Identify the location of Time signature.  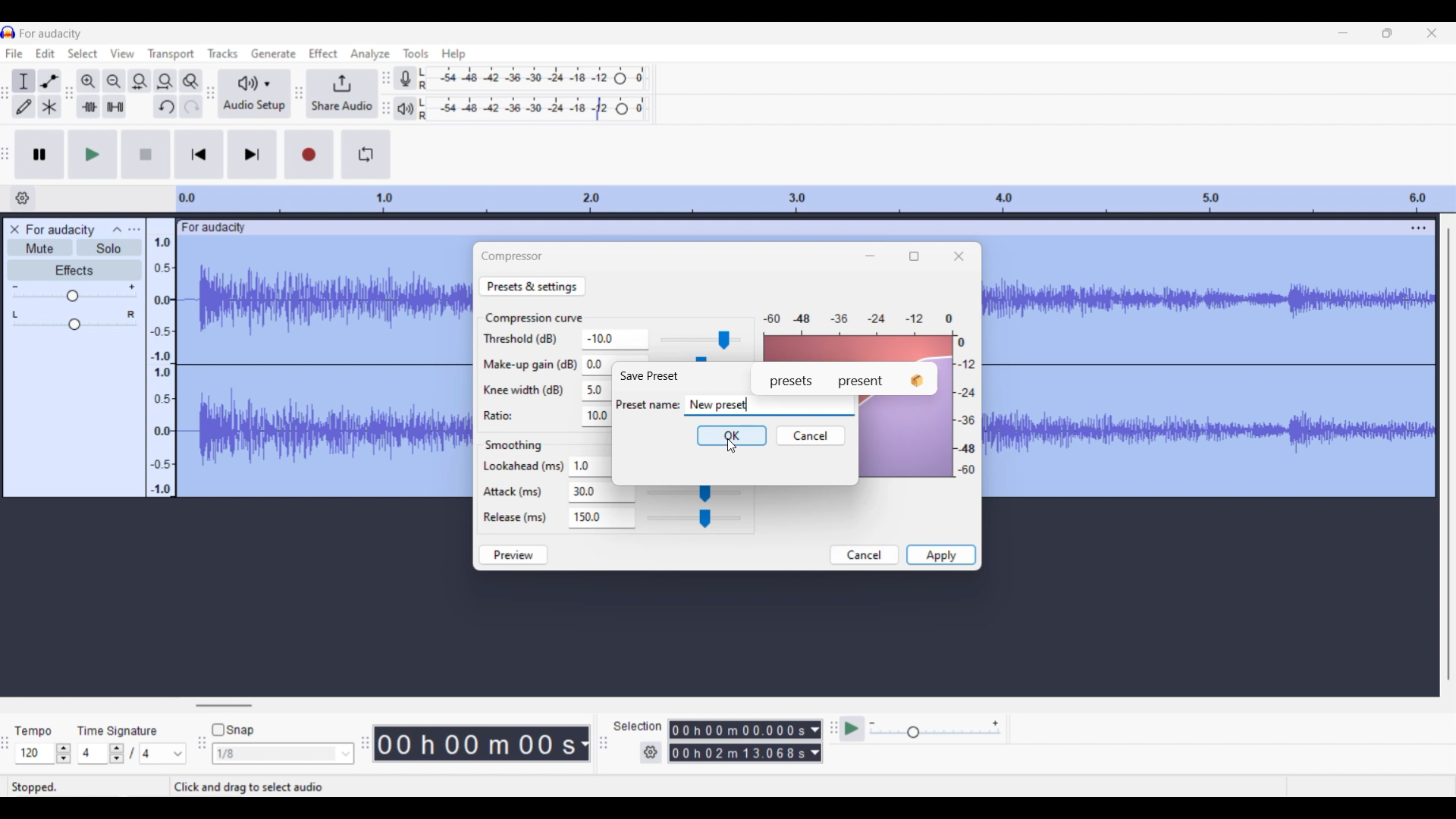
(118, 730).